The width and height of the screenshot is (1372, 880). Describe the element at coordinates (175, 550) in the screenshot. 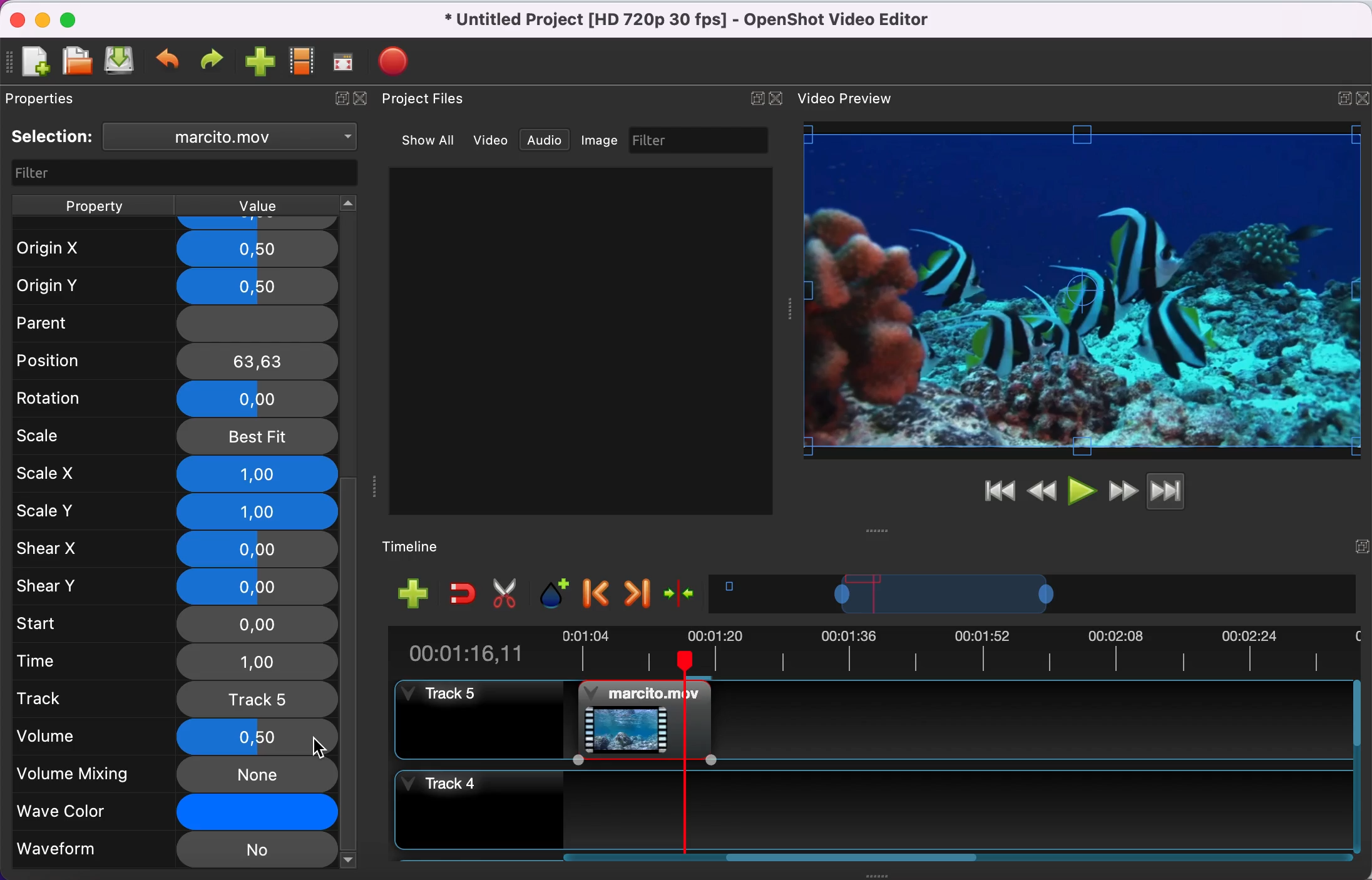

I see `shear x 0` at that location.